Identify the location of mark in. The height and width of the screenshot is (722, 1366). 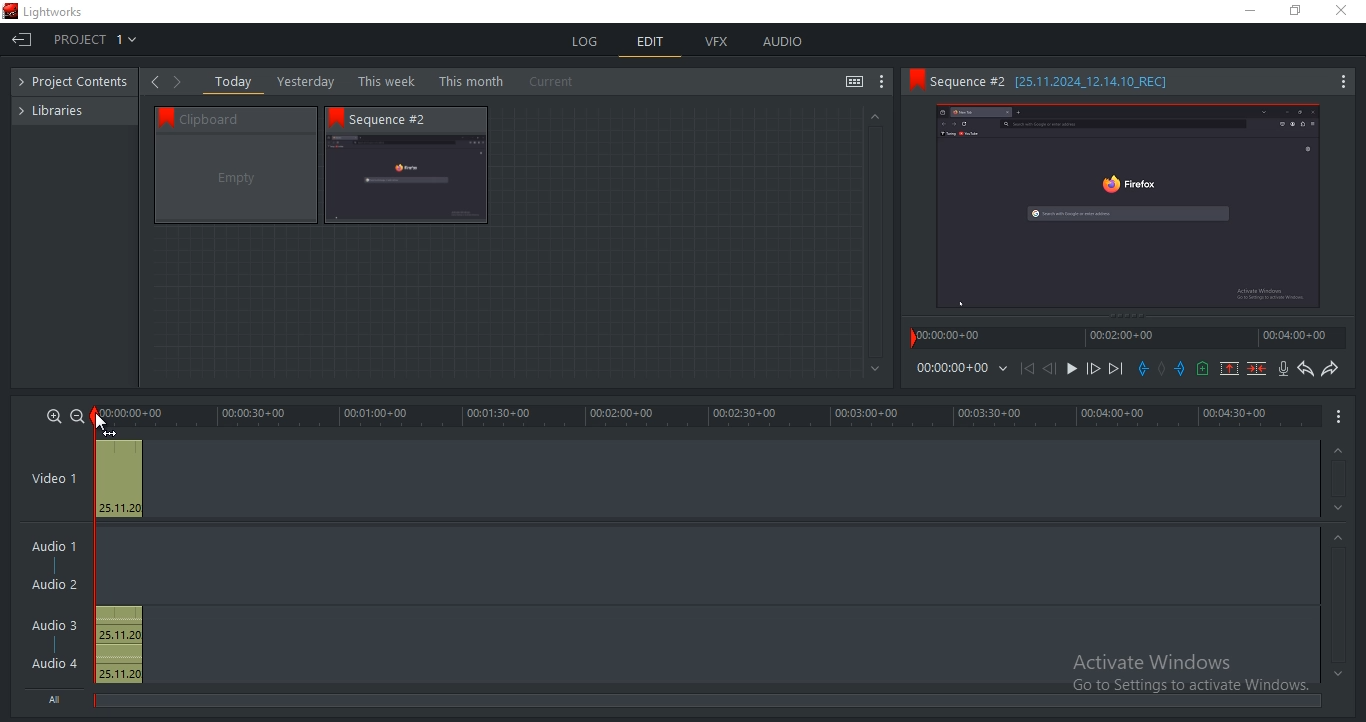
(1143, 368).